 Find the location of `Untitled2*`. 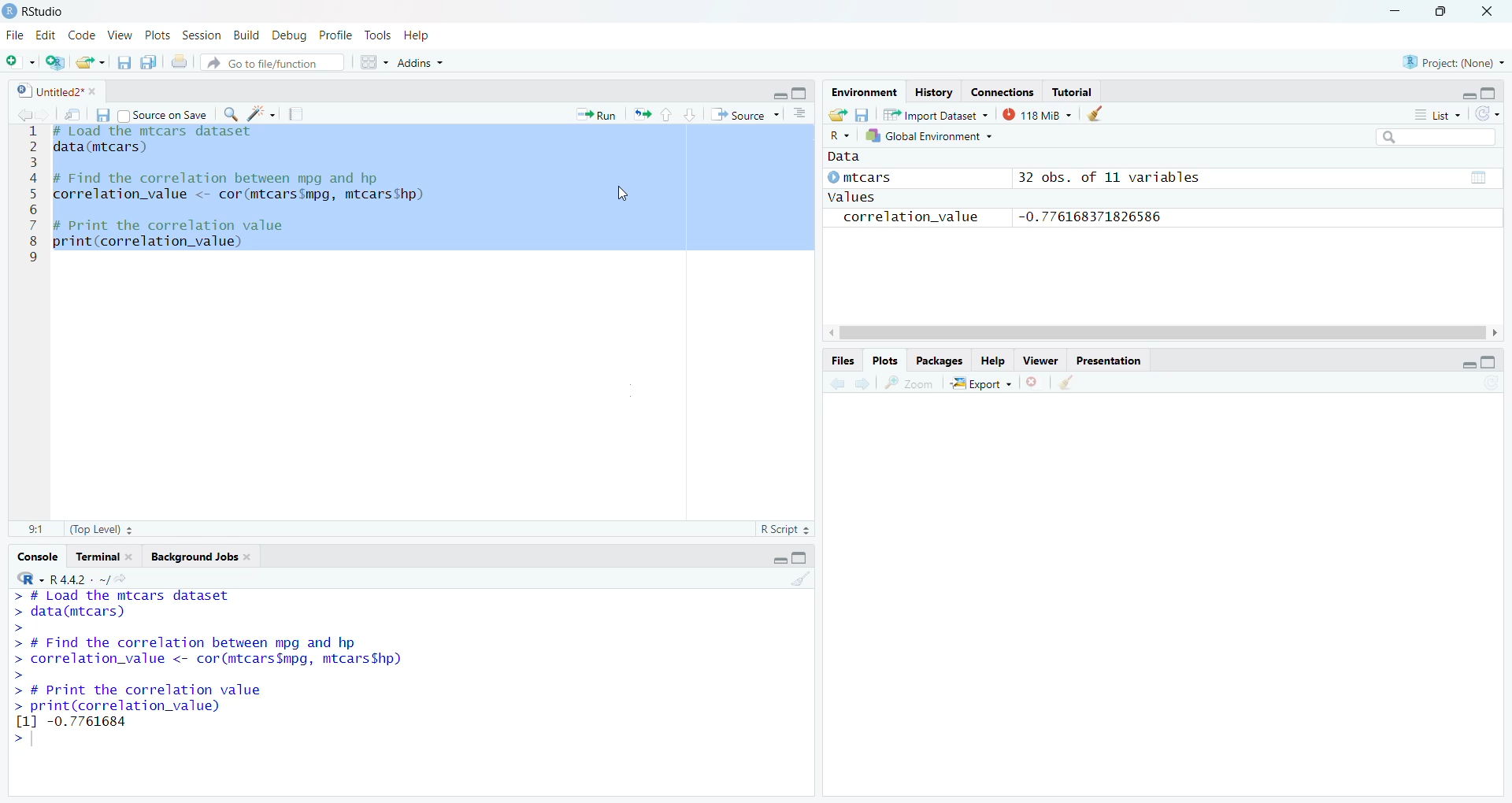

Untitled2* is located at coordinates (57, 90).